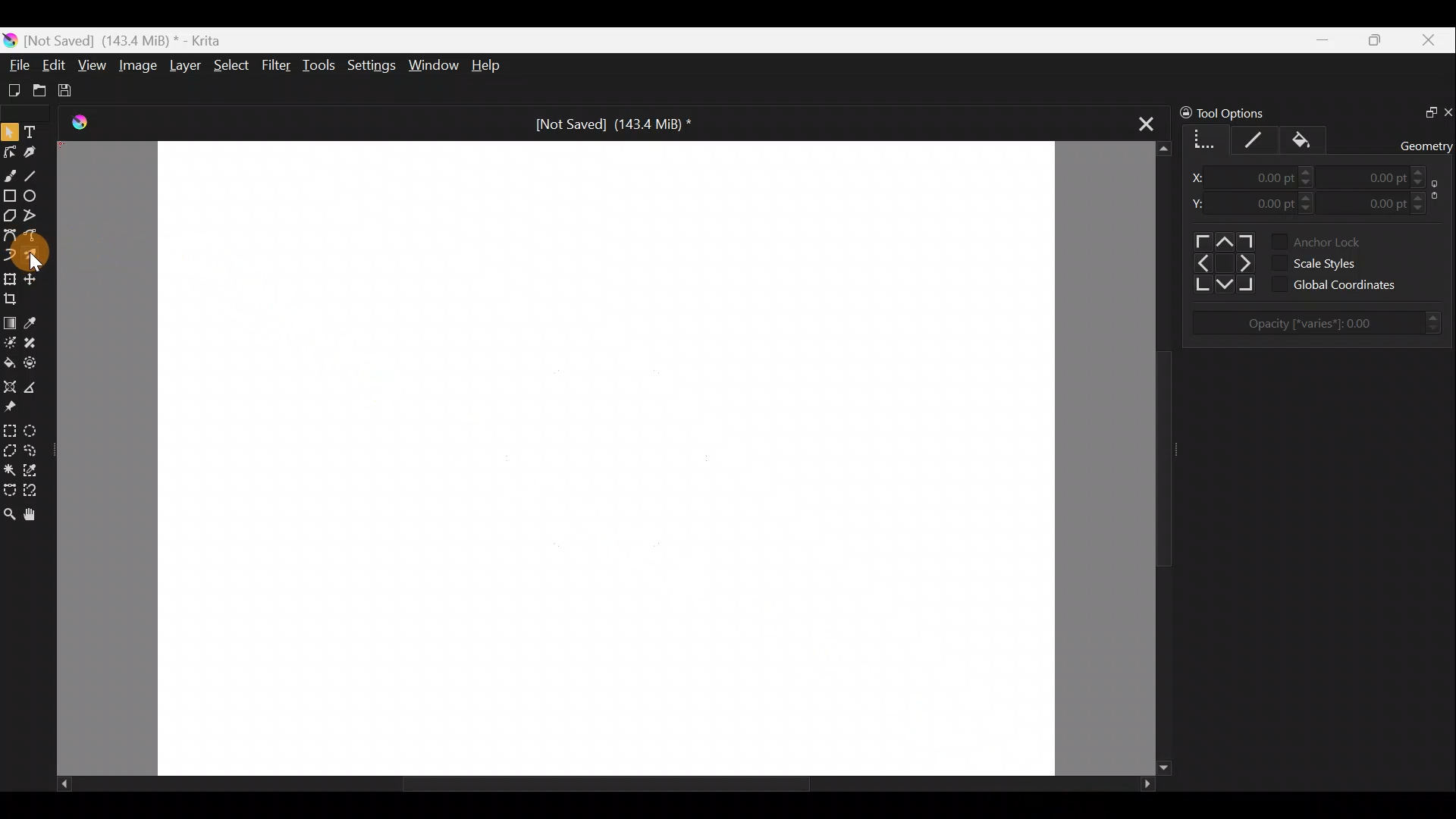 Image resolution: width=1456 pixels, height=819 pixels. What do you see at coordinates (33, 469) in the screenshot?
I see `Similar color selection tool` at bounding box center [33, 469].